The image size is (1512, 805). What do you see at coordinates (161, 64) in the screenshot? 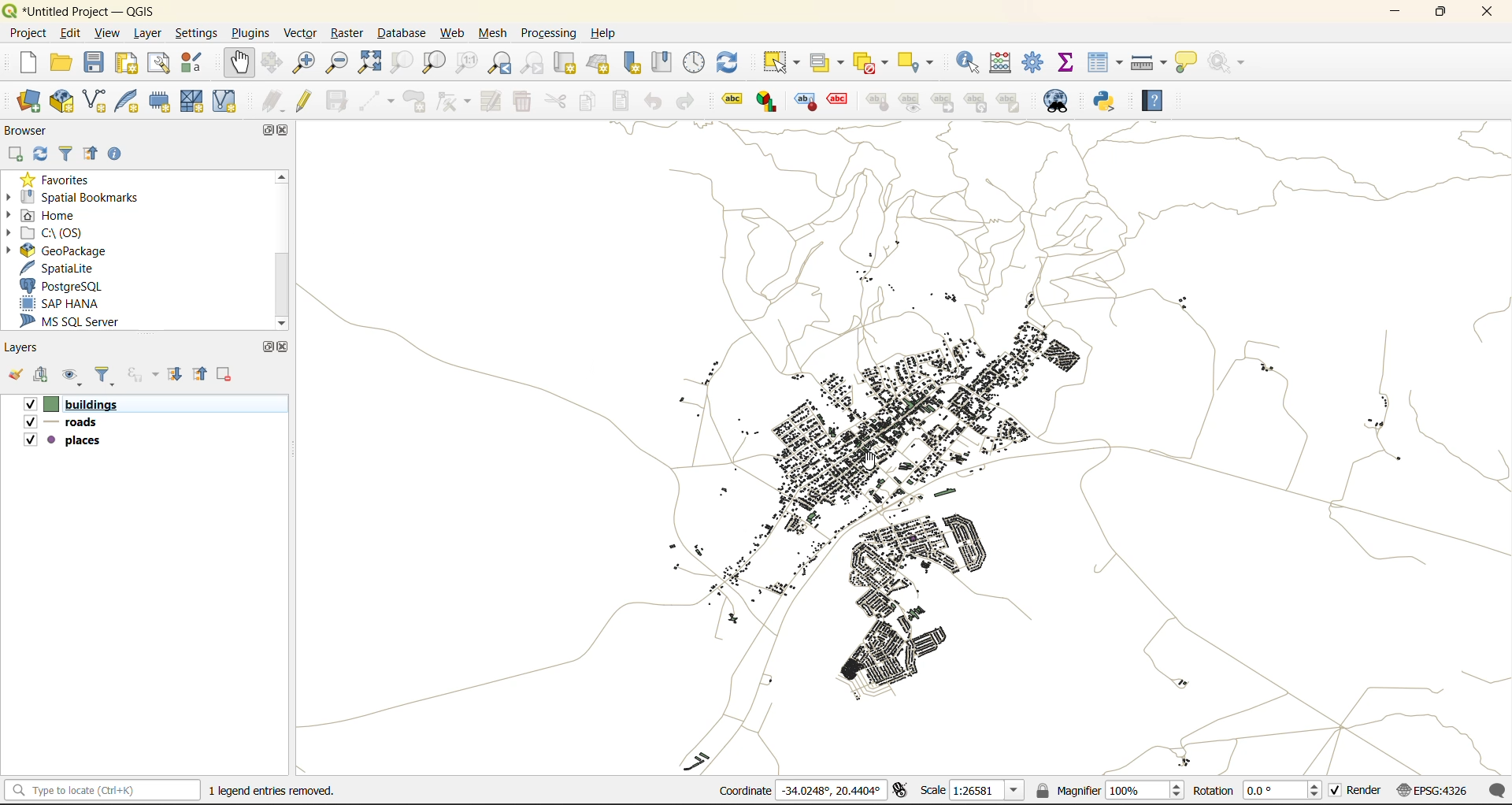
I see `show layout` at bounding box center [161, 64].